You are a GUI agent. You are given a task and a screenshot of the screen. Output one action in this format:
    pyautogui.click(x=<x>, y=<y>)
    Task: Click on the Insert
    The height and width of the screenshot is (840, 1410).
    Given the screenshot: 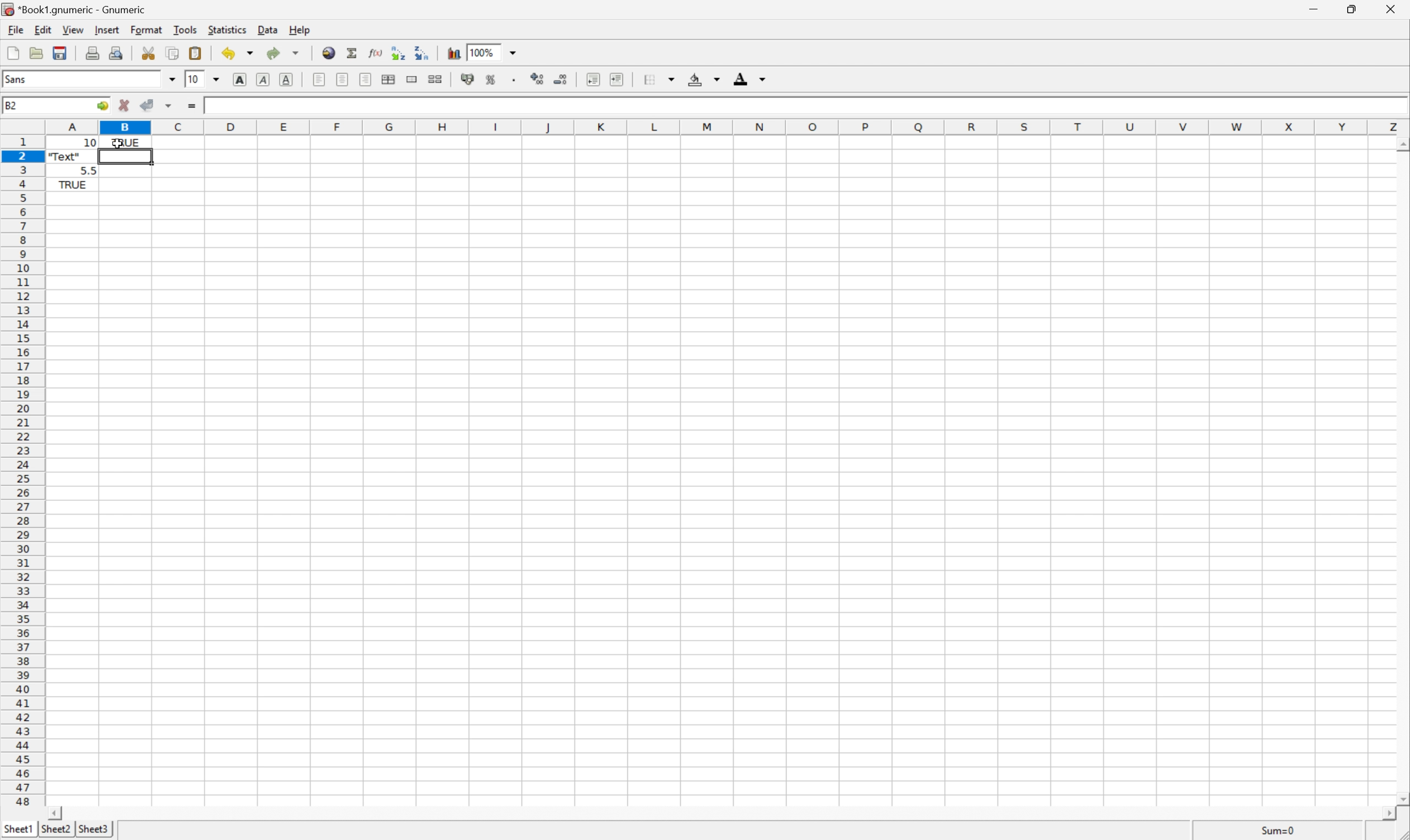 What is the action you would take?
    pyautogui.click(x=106, y=29)
    